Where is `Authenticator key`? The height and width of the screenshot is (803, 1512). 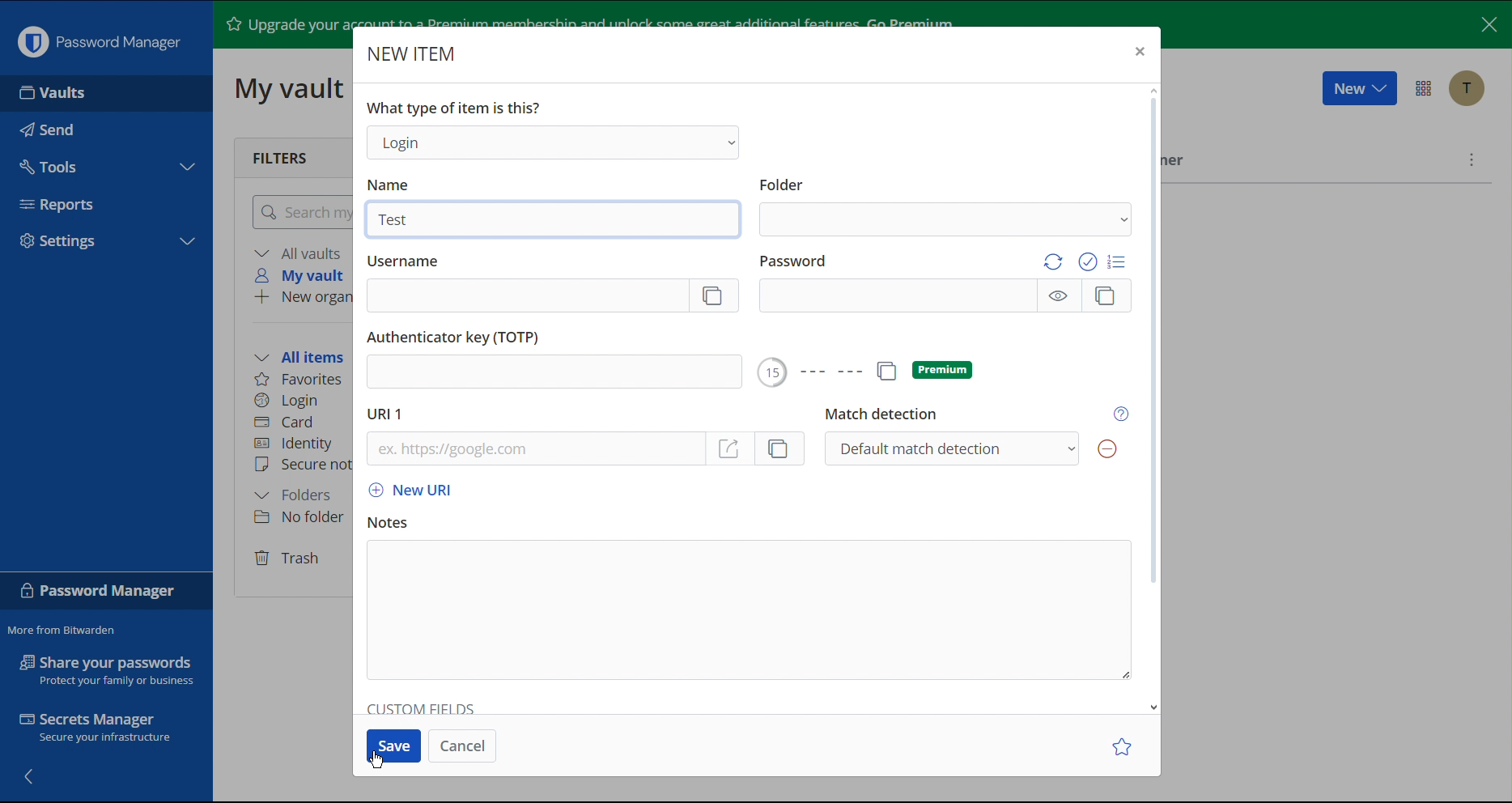 Authenticator key is located at coordinates (557, 359).